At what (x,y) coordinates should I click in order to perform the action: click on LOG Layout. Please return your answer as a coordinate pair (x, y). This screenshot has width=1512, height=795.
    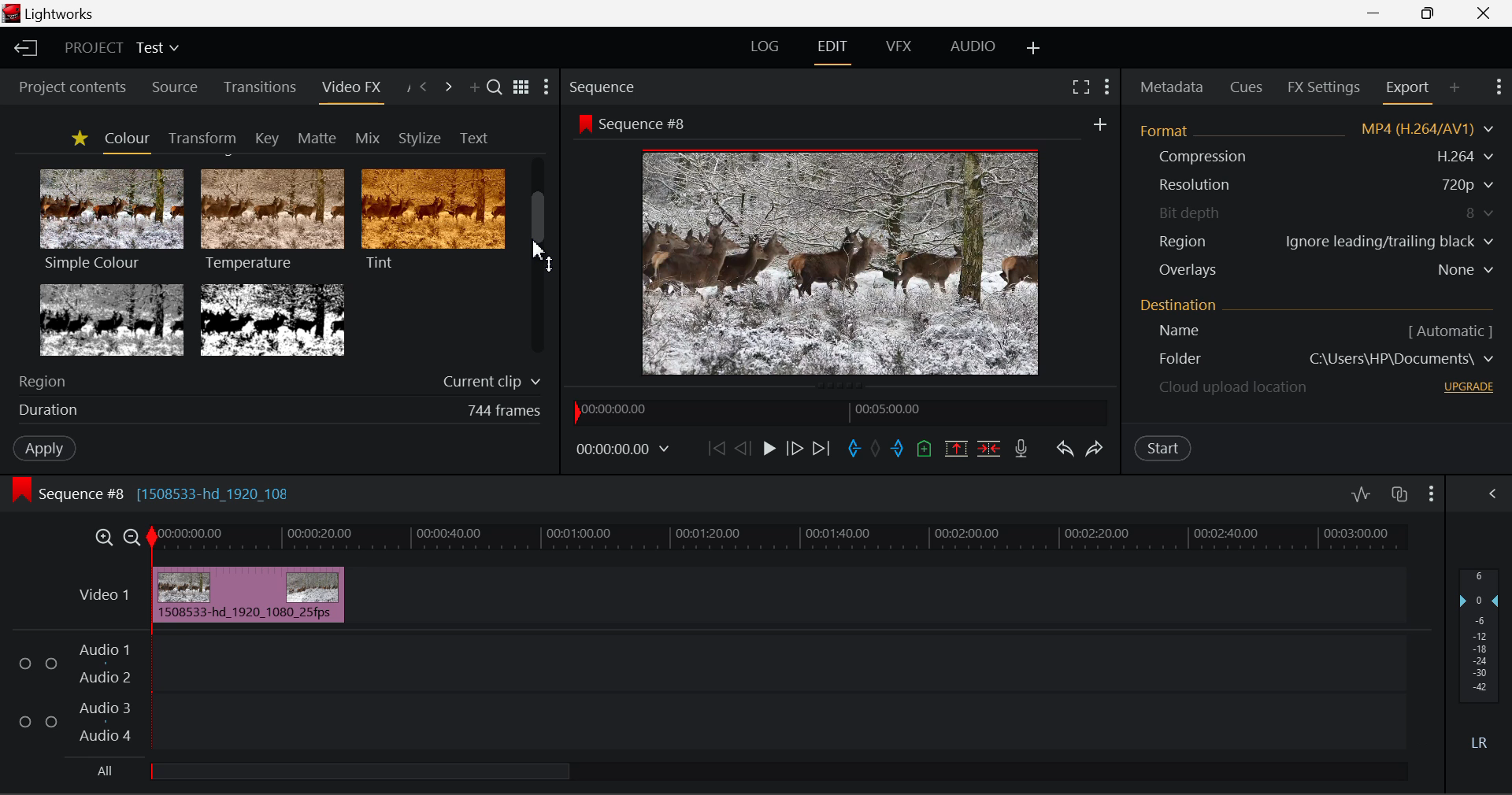
    Looking at the image, I should click on (767, 46).